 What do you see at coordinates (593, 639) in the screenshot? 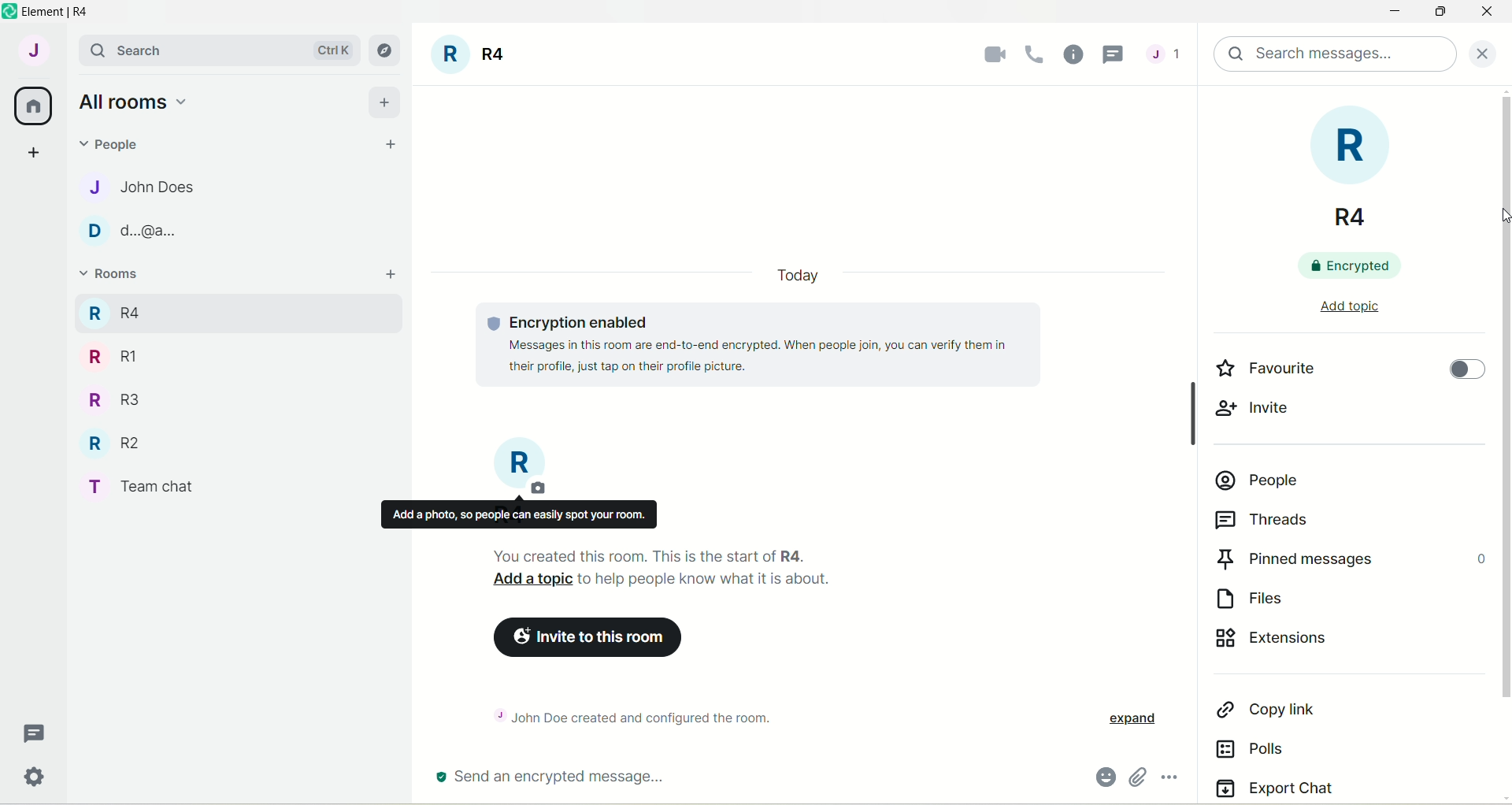
I see `invite to this room` at bounding box center [593, 639].